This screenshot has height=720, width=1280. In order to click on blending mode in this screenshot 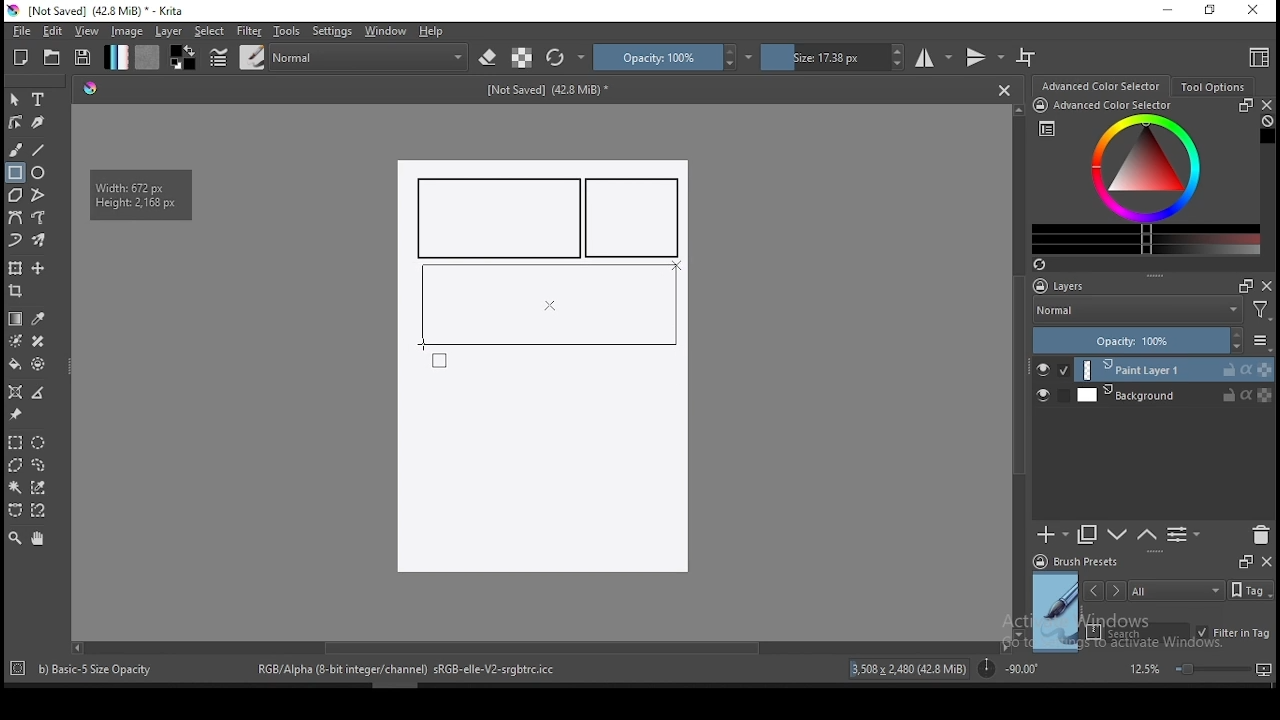, I will do `click(1136, 312)`.